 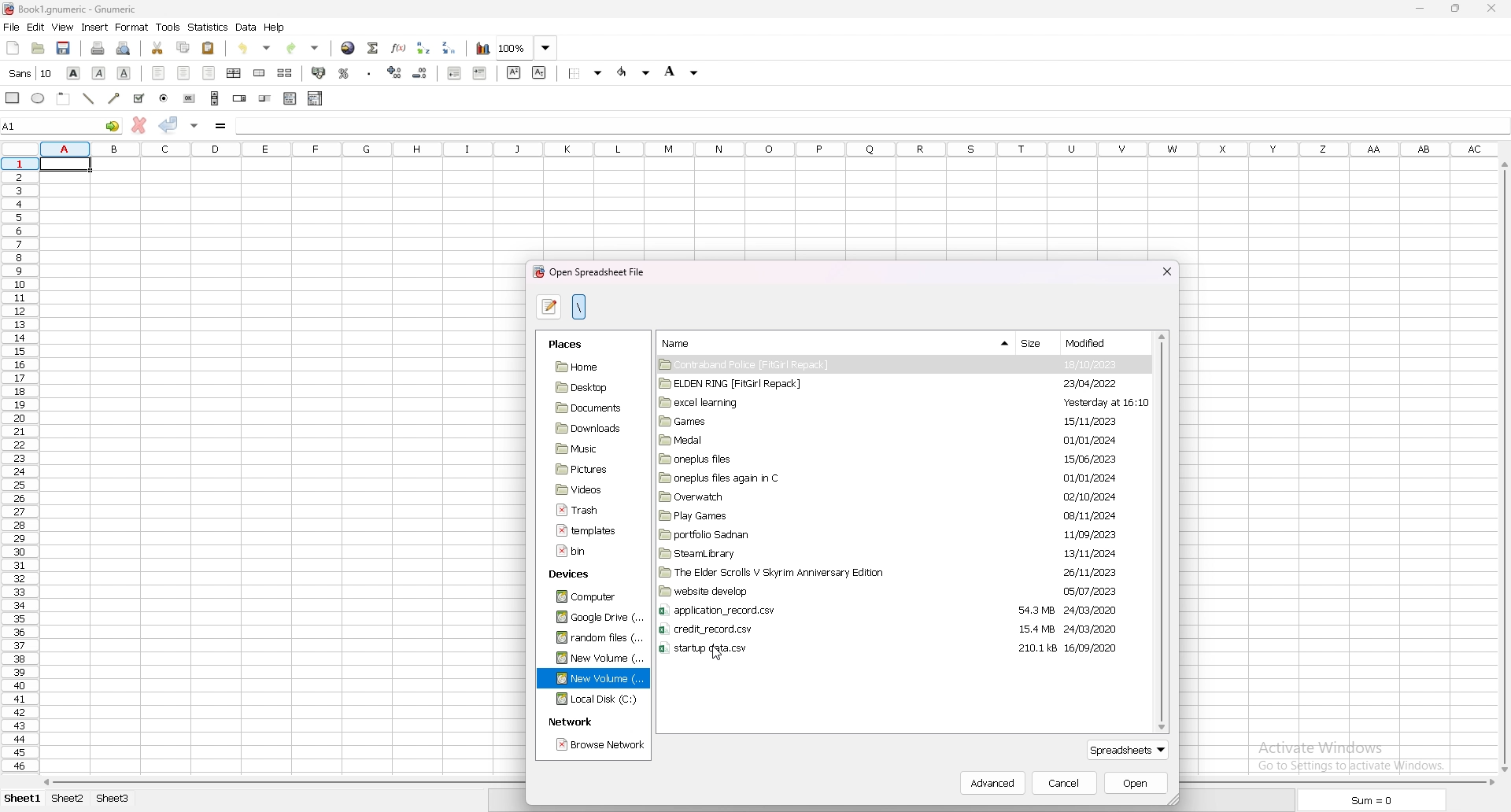 I want to click on Sheet 2, so click(x=68, y=799).